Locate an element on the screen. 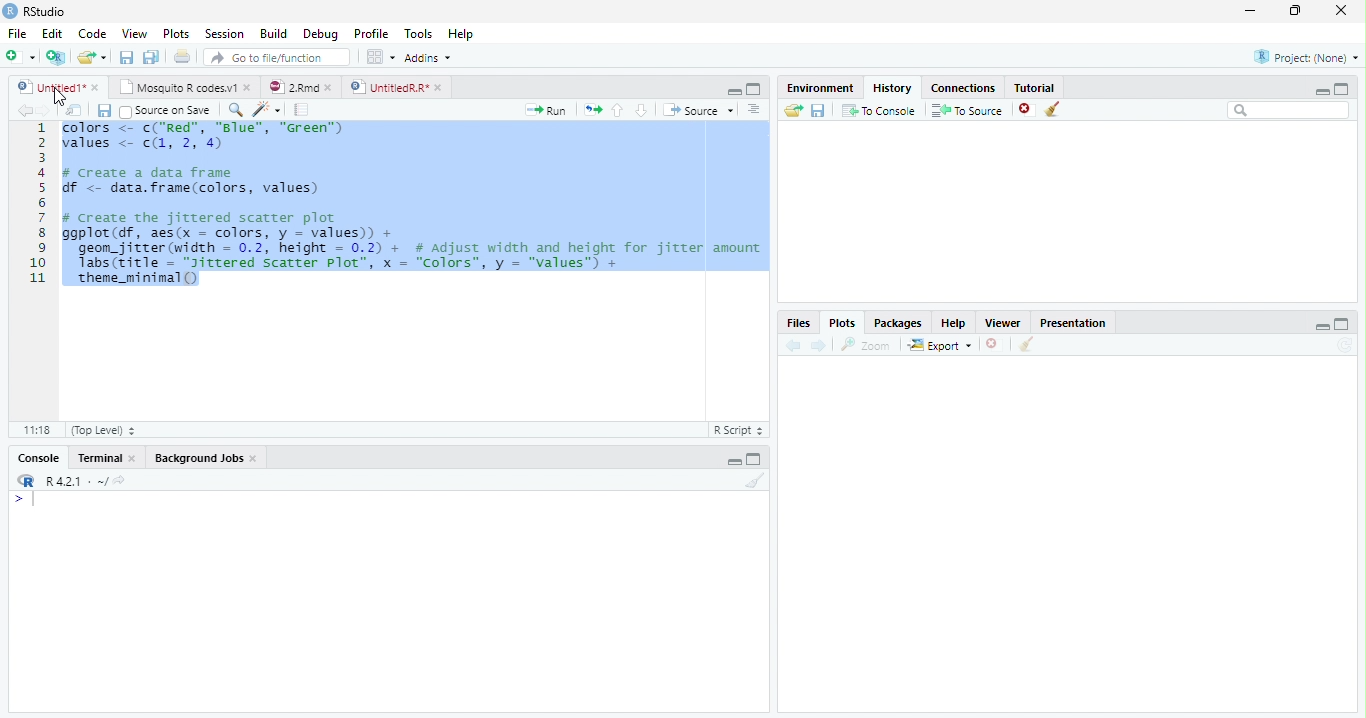 This screenshot has width=1366, height=718. Open recent files is located at coordinates (104, 57).